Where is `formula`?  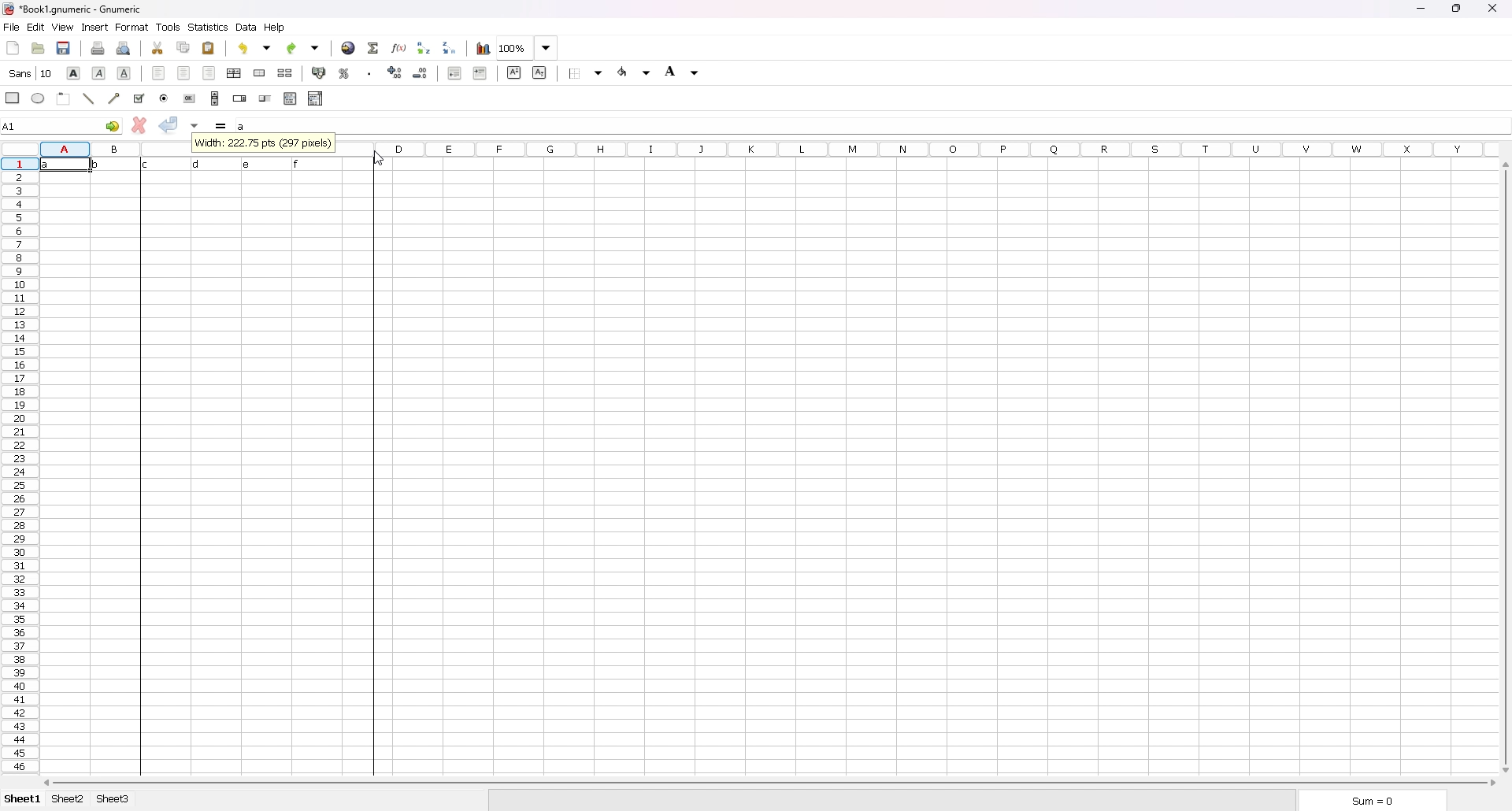 formula is located at coordinates (222, 126).